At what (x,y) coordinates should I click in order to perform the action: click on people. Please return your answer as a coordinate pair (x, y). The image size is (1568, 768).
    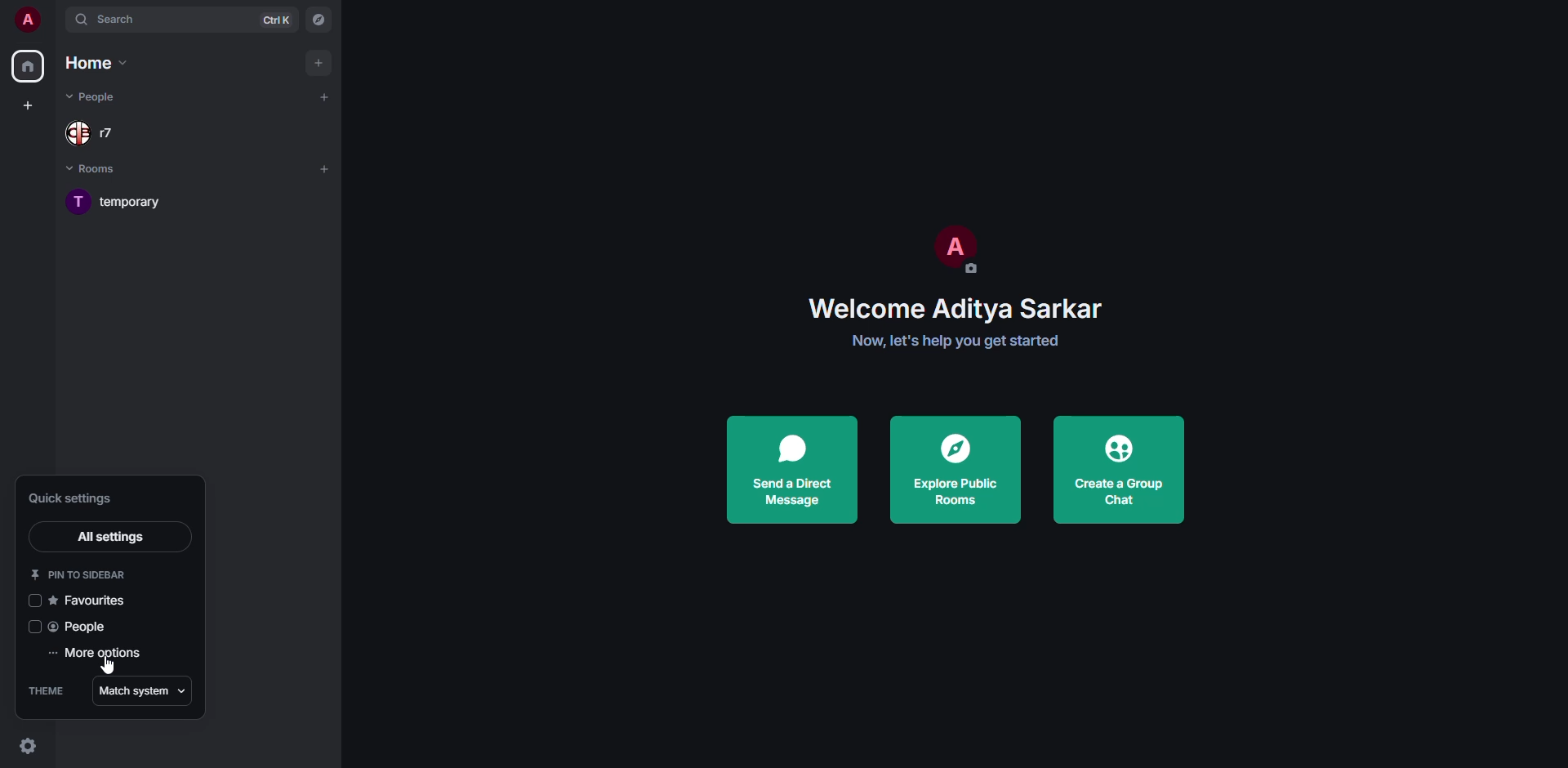
    Looking at the image, I should click on (95, 96).